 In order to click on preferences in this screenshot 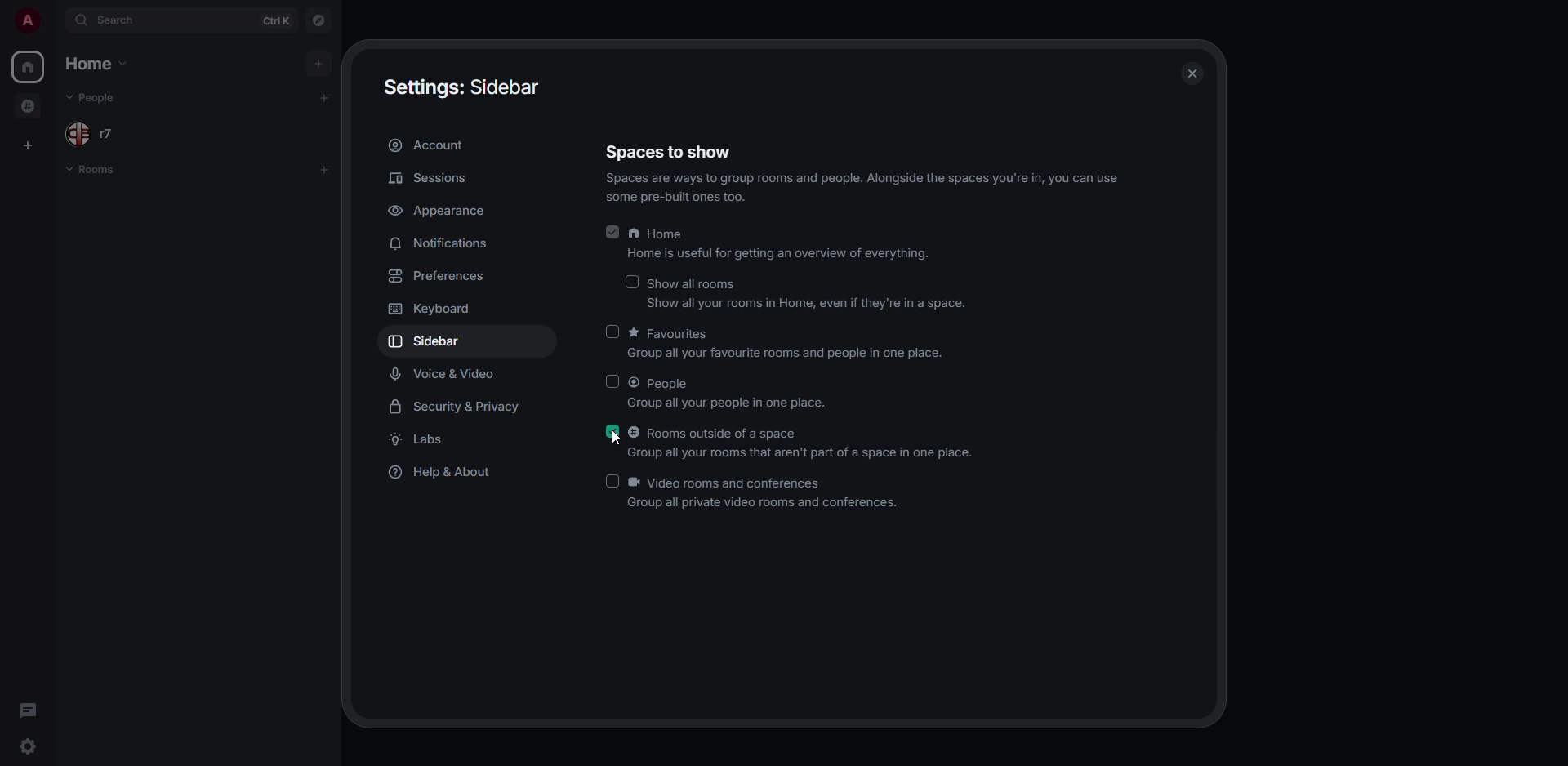, I will do `click(443, 276)`.